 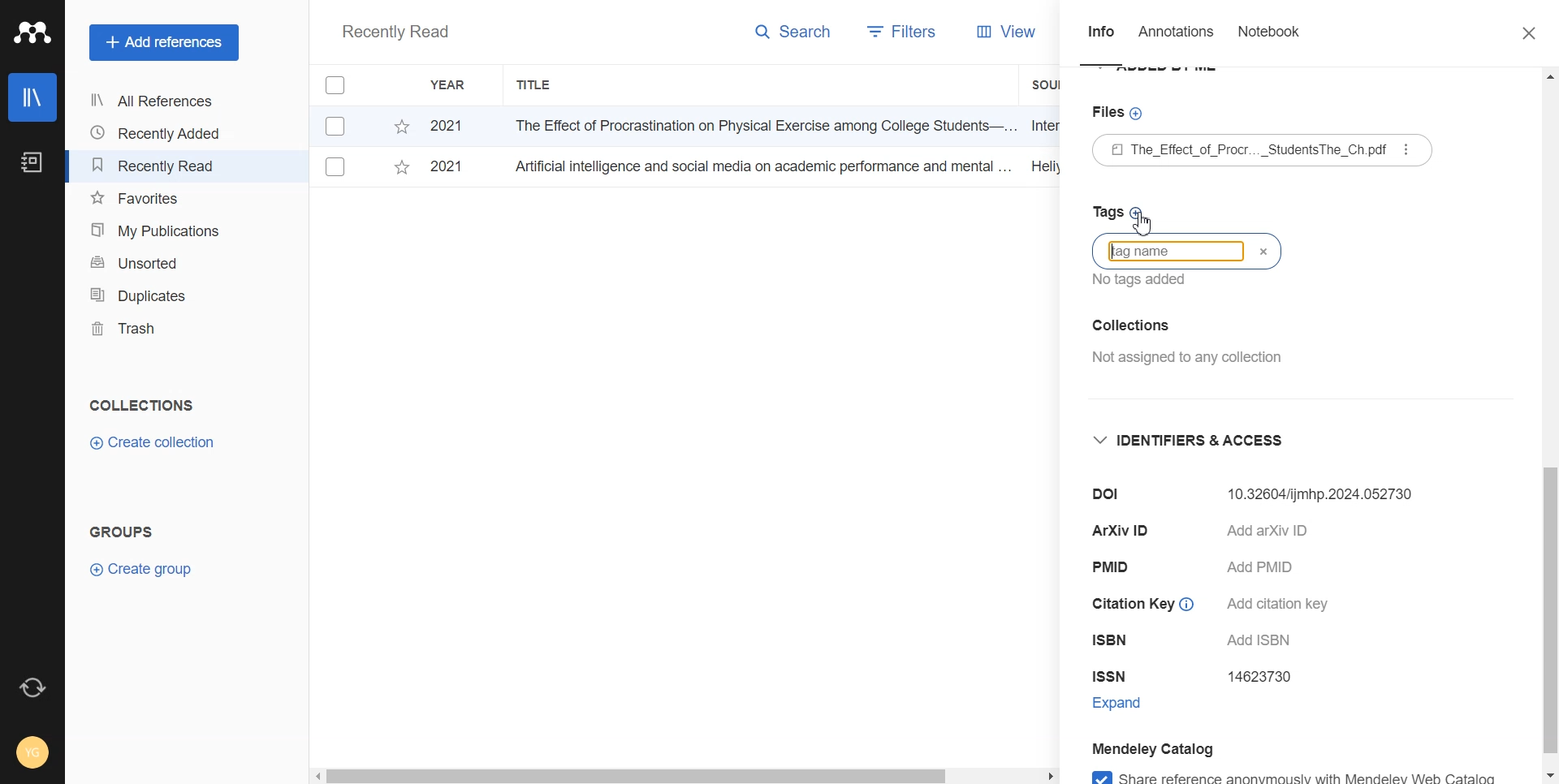 I want to click on Add references, so click(x=164, y=43).